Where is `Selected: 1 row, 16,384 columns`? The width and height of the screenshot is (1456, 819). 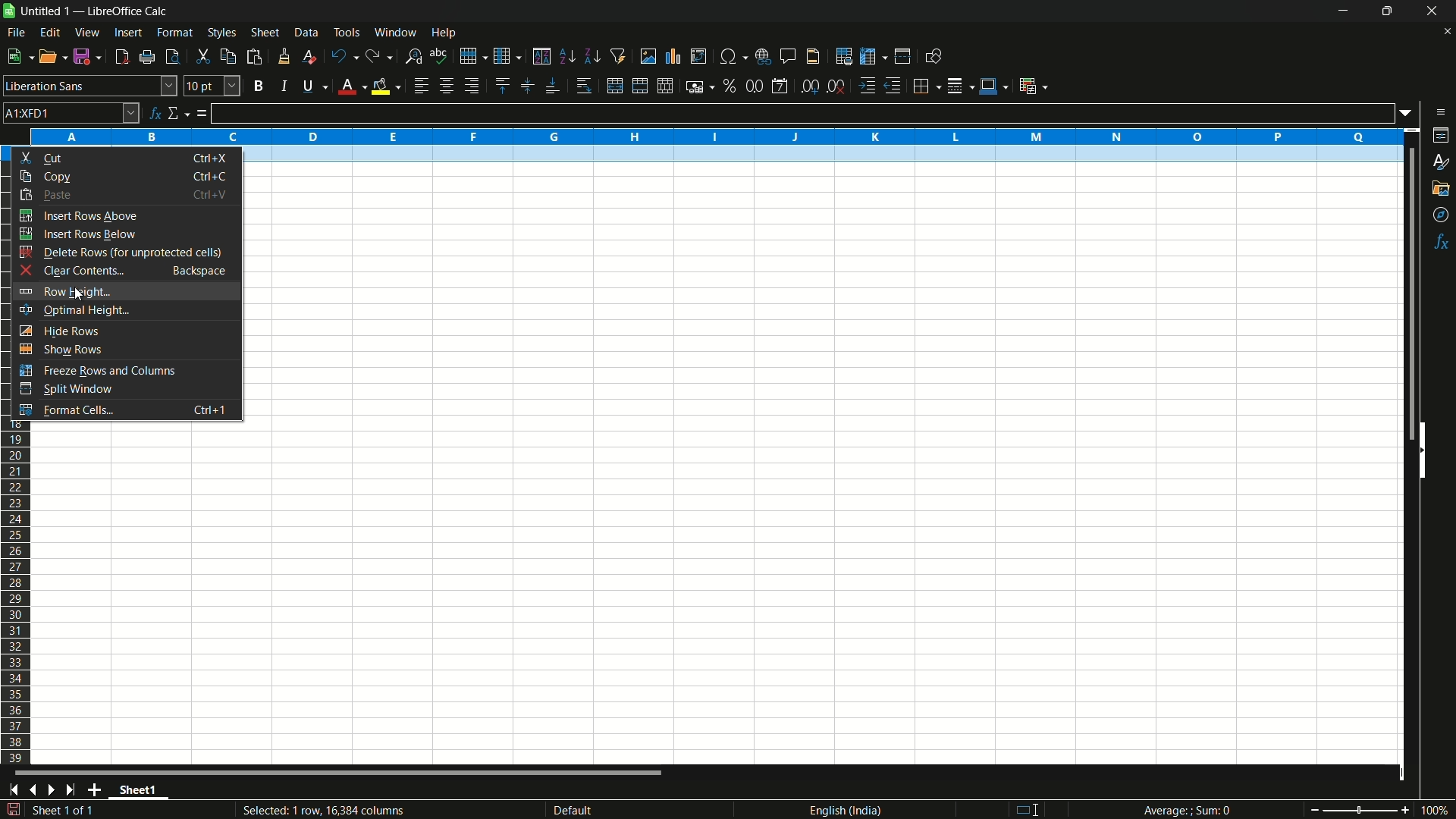
Selected: 1 row, 16,384 columns is located at coordinates (323, 808).